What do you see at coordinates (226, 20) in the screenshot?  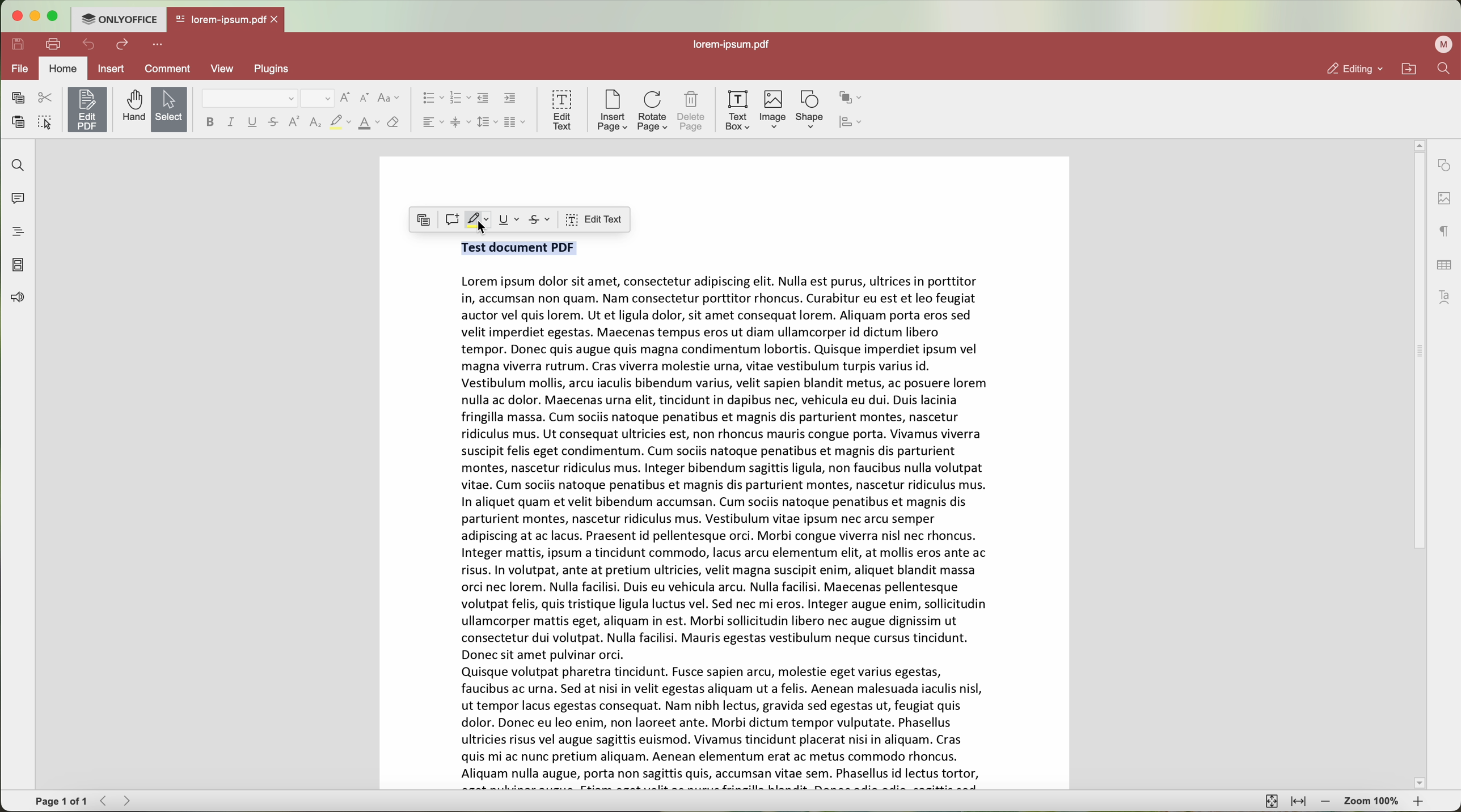 I see `open file` at bounding box center [226, 20].